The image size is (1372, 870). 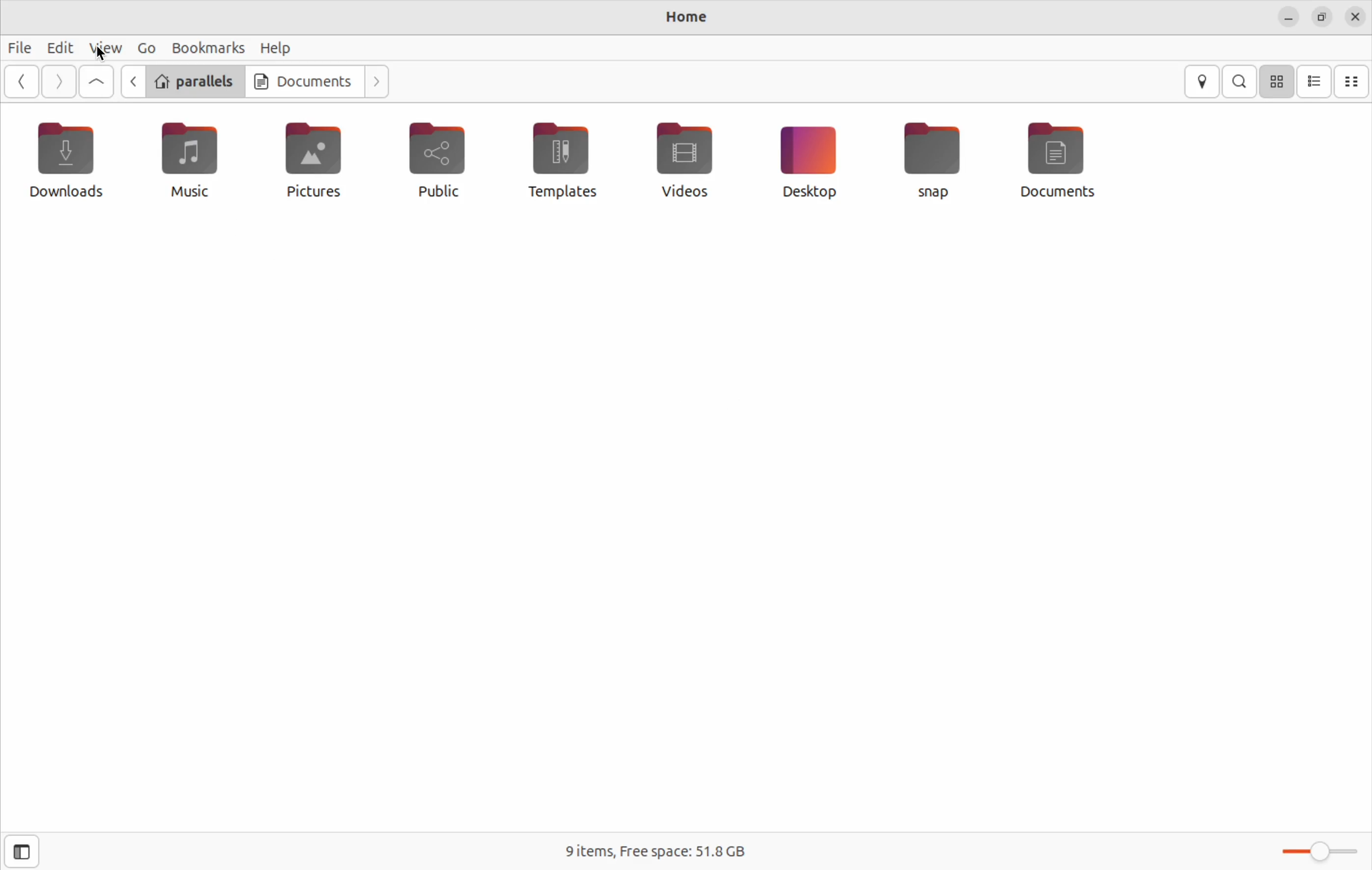 What do you see at coordinates (19, 81) in the screenshot?
I see `previous` at bounding box center [19, 81].